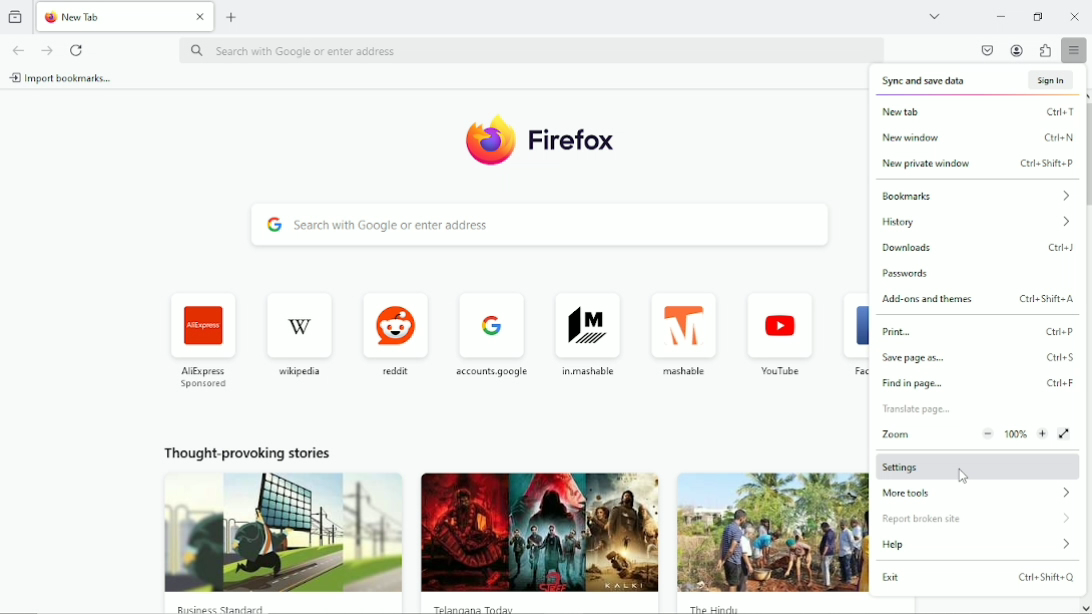 This screenshot has height=614, width=1092. What do you see at coordinates (980, 547) in the screenshot?
I see `Help` at bounding box center [980, 547].